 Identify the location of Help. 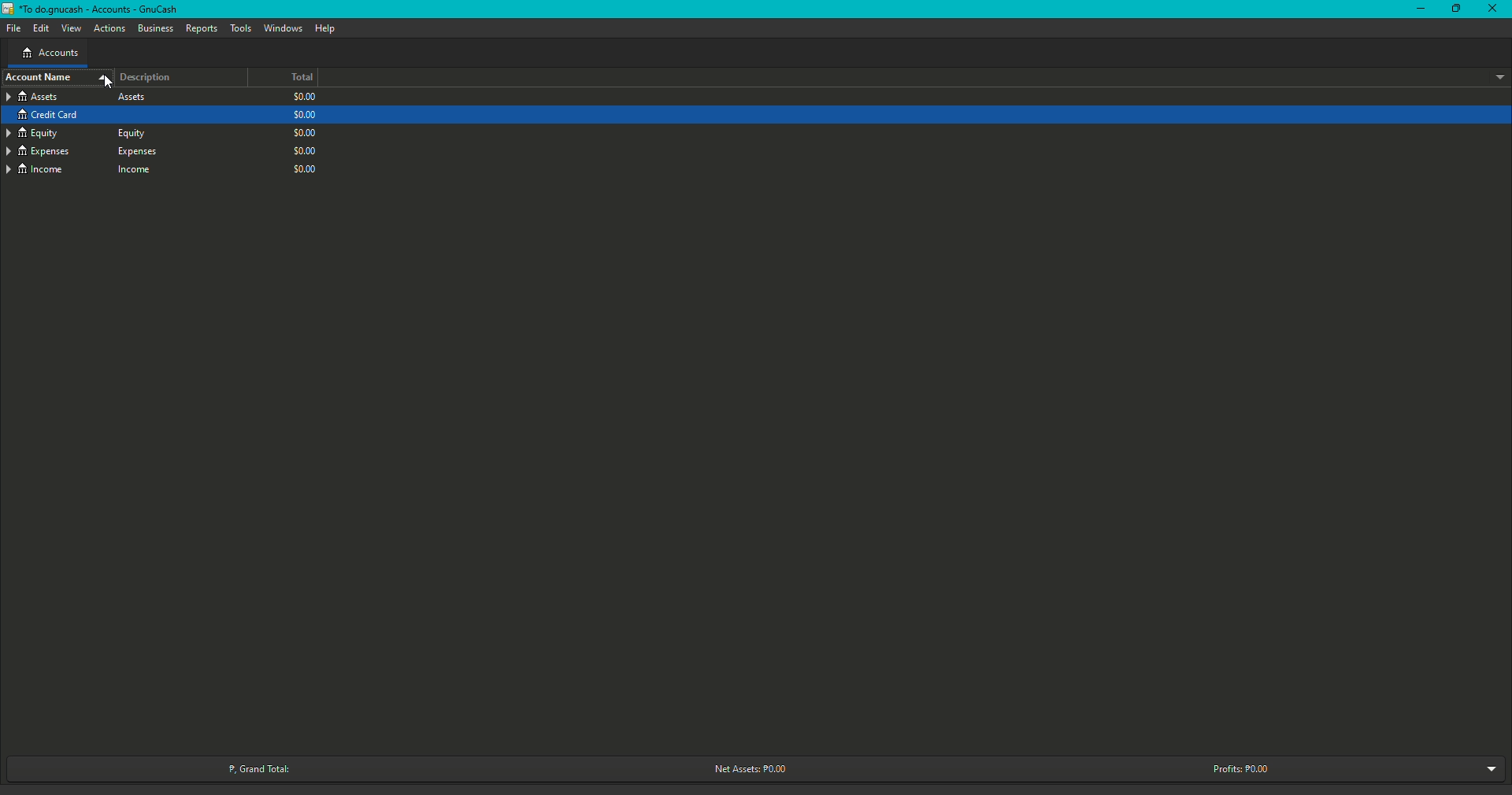
(324, 29).